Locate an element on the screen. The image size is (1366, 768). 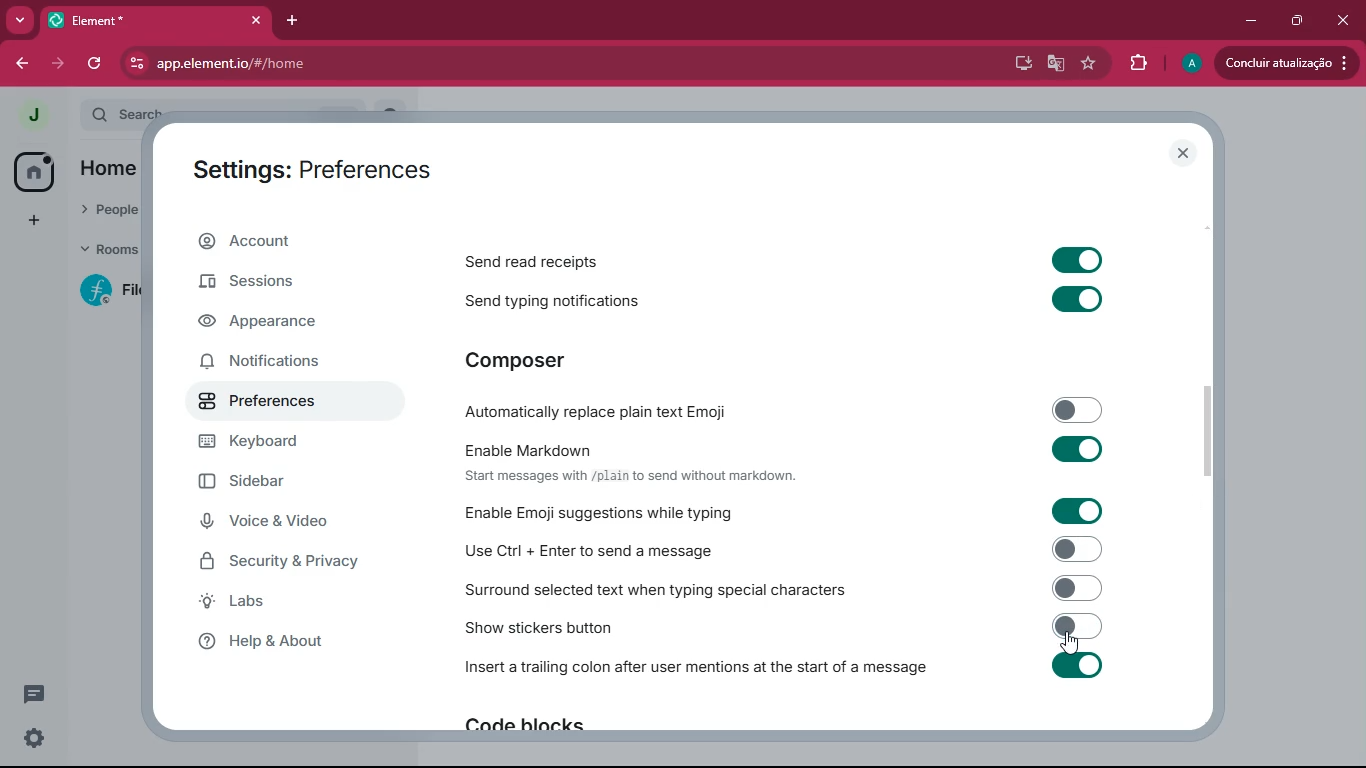
close is located at coordinates (1182, 155).